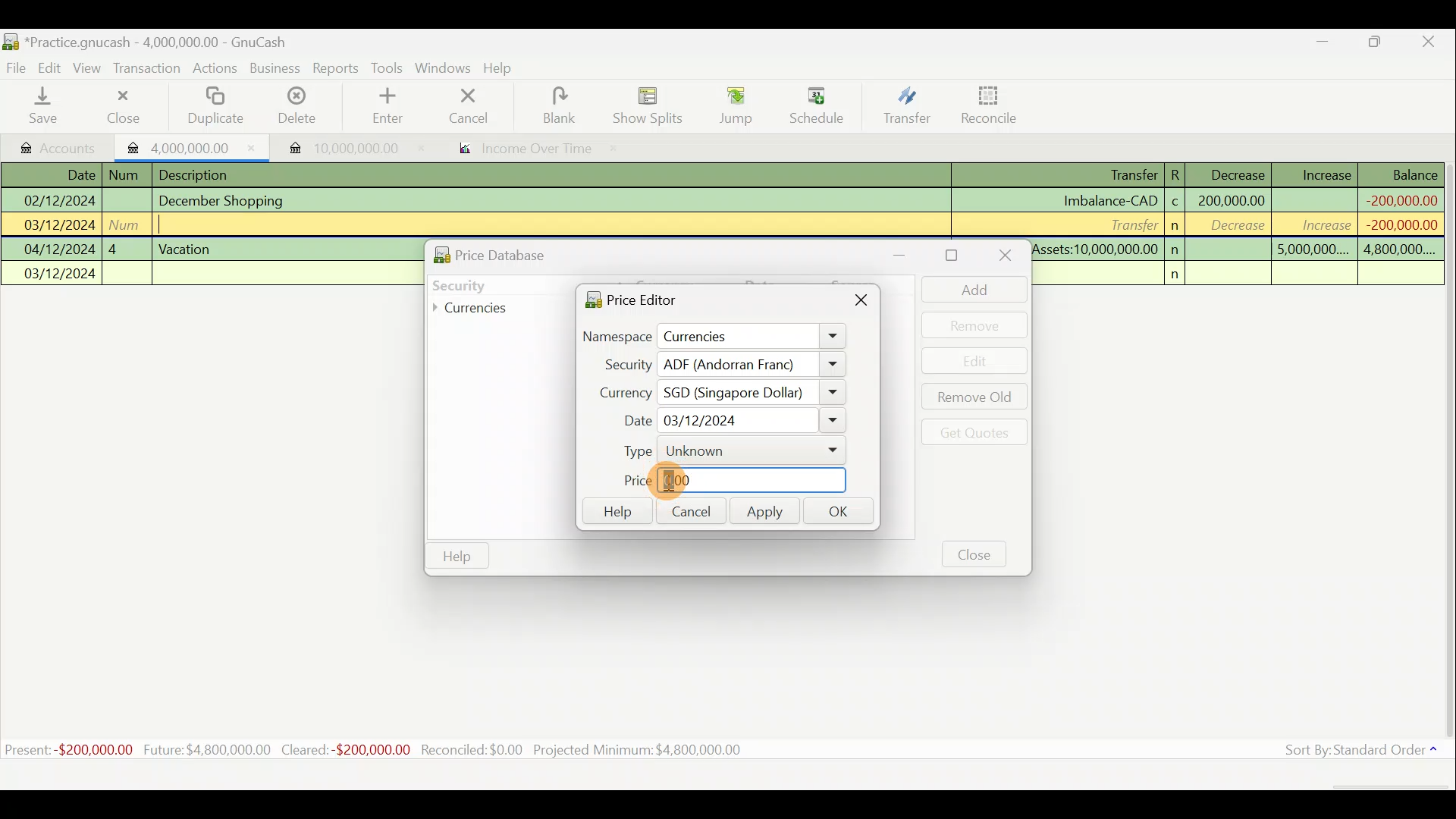 The image size is (1456, 819). Describe the element at coordinates (616, 512) in the screenshot. I see `Help` at that location.